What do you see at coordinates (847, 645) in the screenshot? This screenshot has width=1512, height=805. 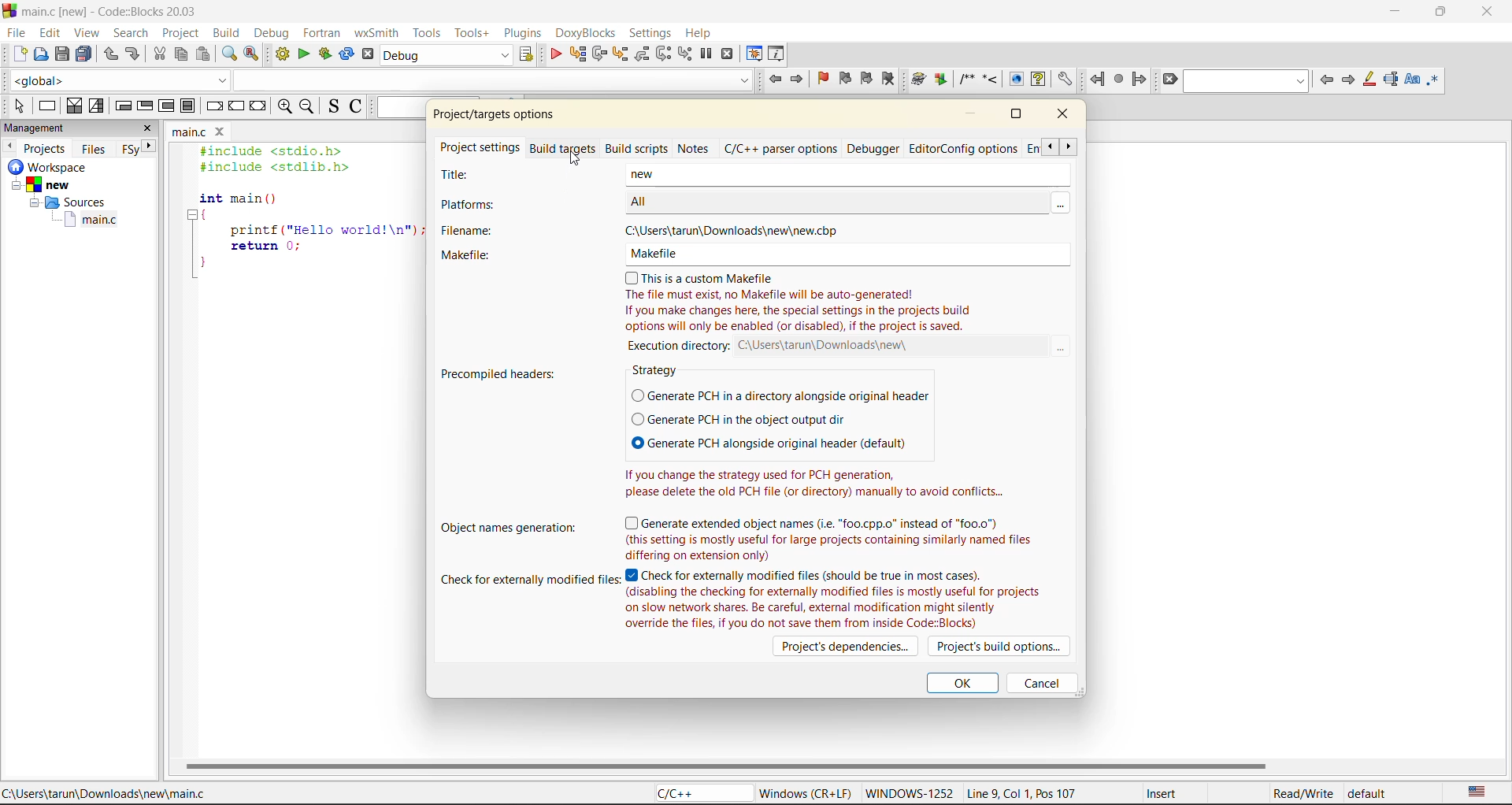 I see `projects dependencies` at bounding box center [847, 645].